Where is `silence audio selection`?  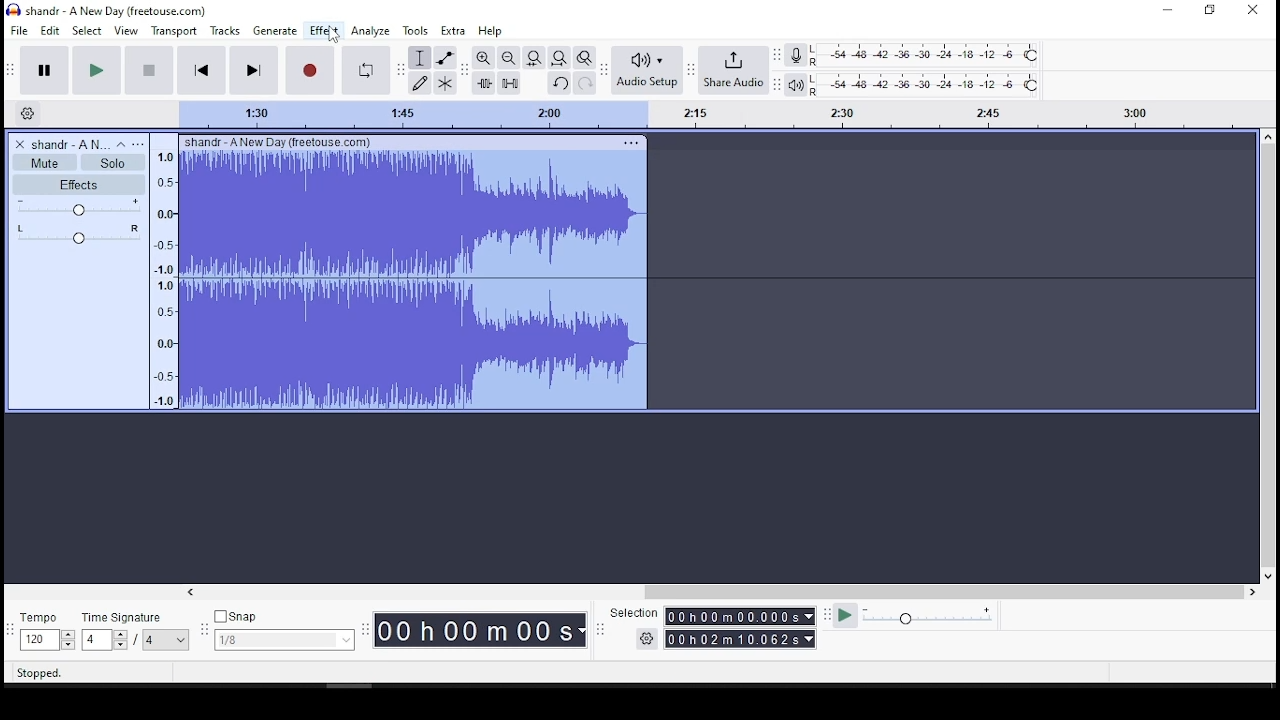 silence audio selection is located at coordinates (509, 83).